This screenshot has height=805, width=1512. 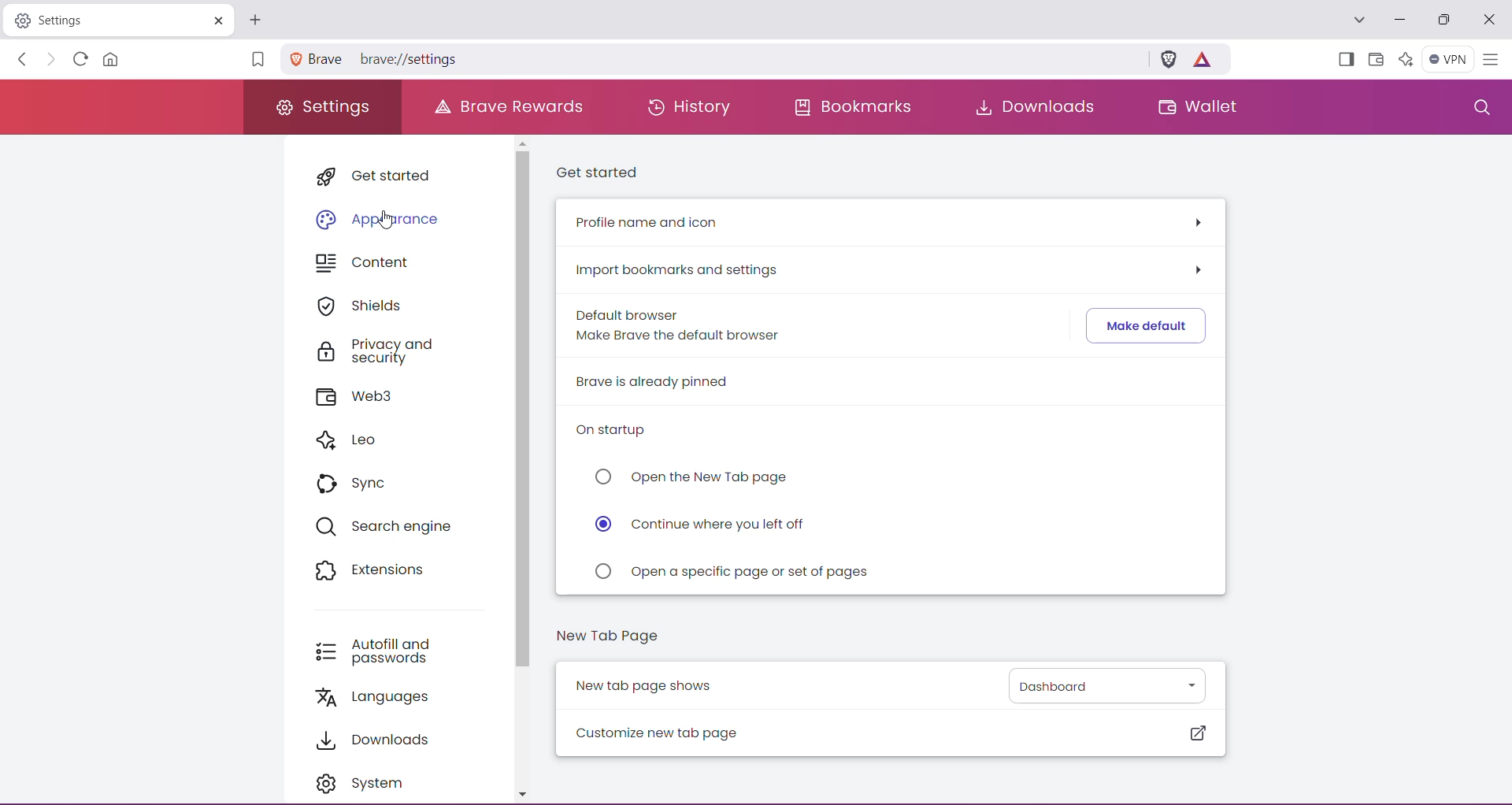 I want to click on Customize new tab page, so click(x=663, y=733).